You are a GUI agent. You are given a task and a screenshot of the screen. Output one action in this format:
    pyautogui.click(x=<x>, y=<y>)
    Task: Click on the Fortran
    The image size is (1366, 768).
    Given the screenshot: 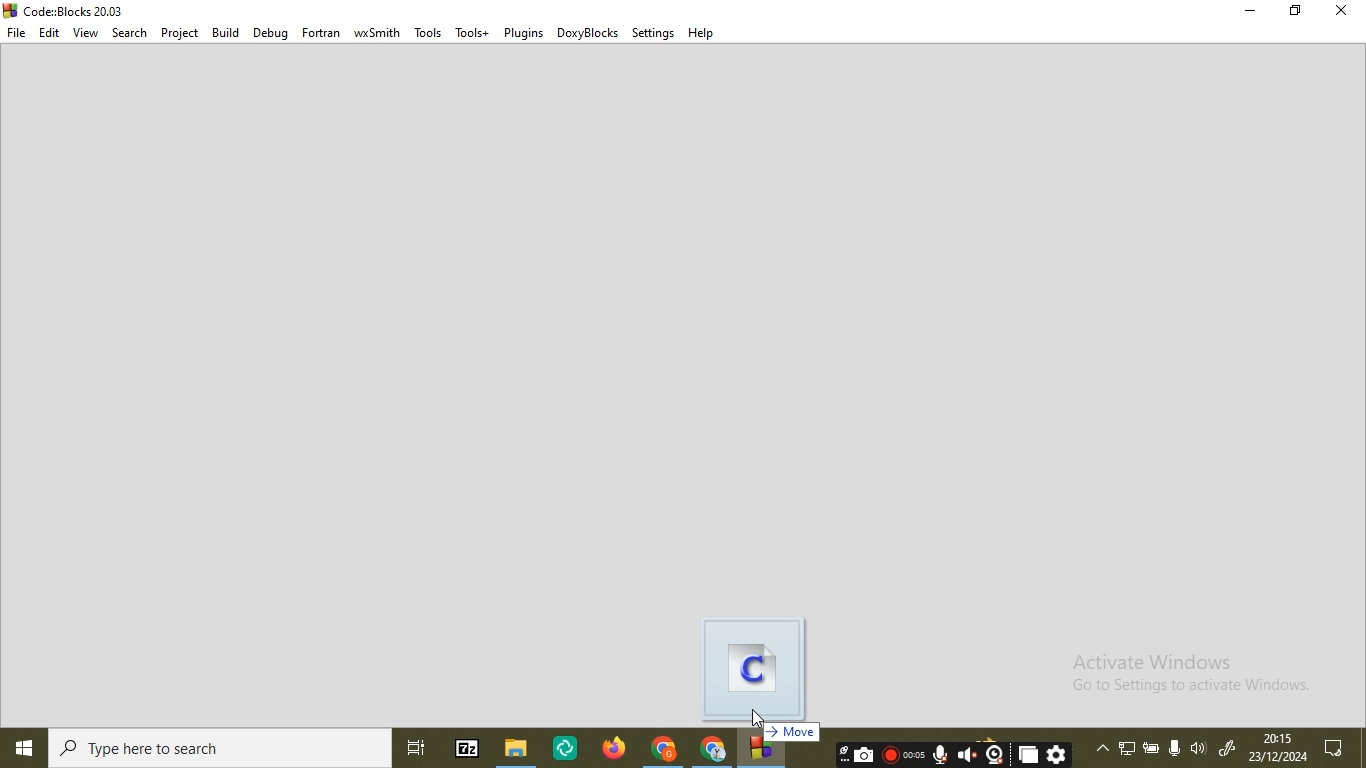 What is the action you would take?
    pyautogui.click(x=321, y=32)
    